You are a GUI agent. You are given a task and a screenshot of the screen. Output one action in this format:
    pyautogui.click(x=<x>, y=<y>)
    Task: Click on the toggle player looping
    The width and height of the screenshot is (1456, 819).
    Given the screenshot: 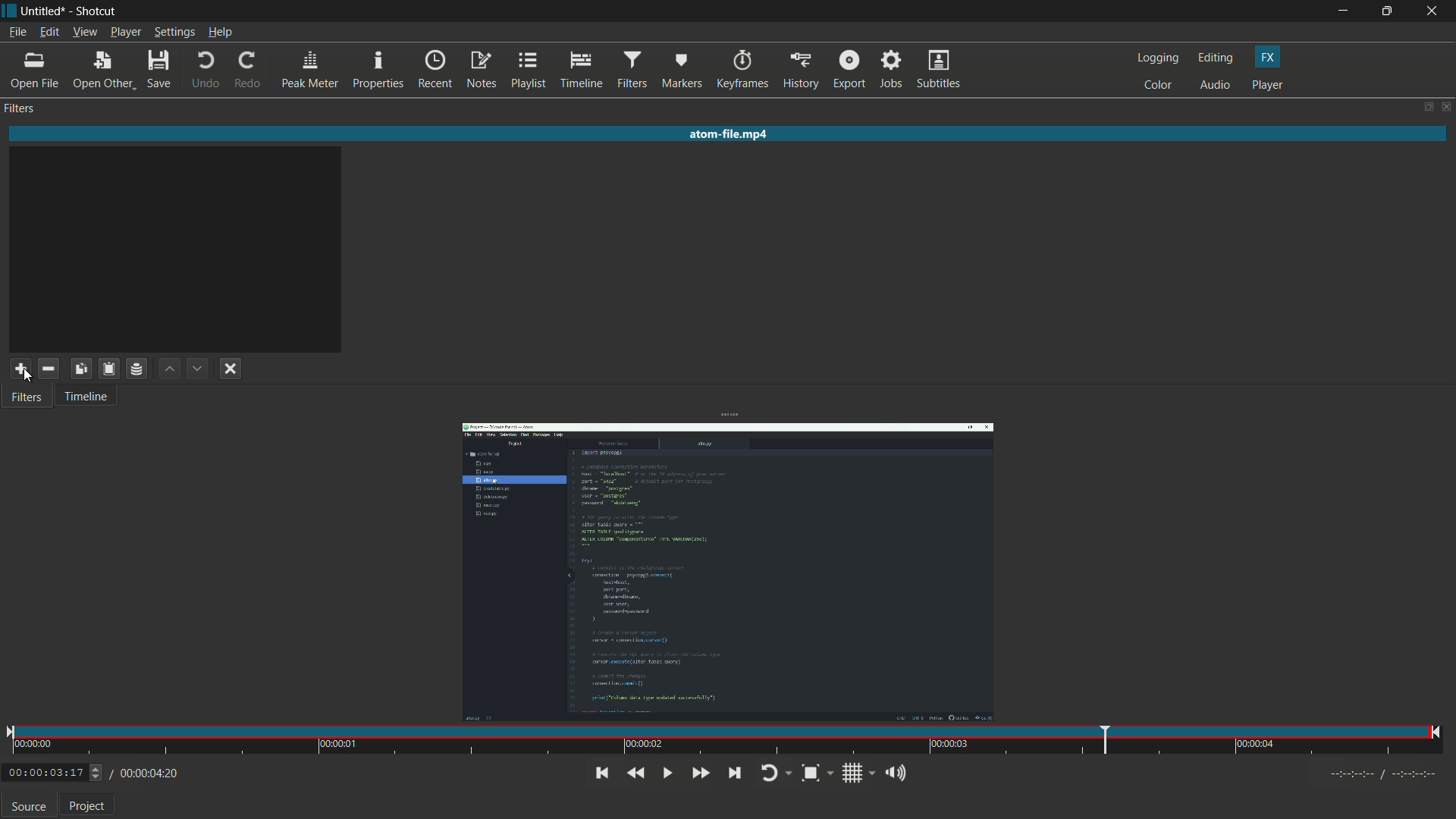 What is the action you would take?
    pyautogui.click(x=775, y=774)
    